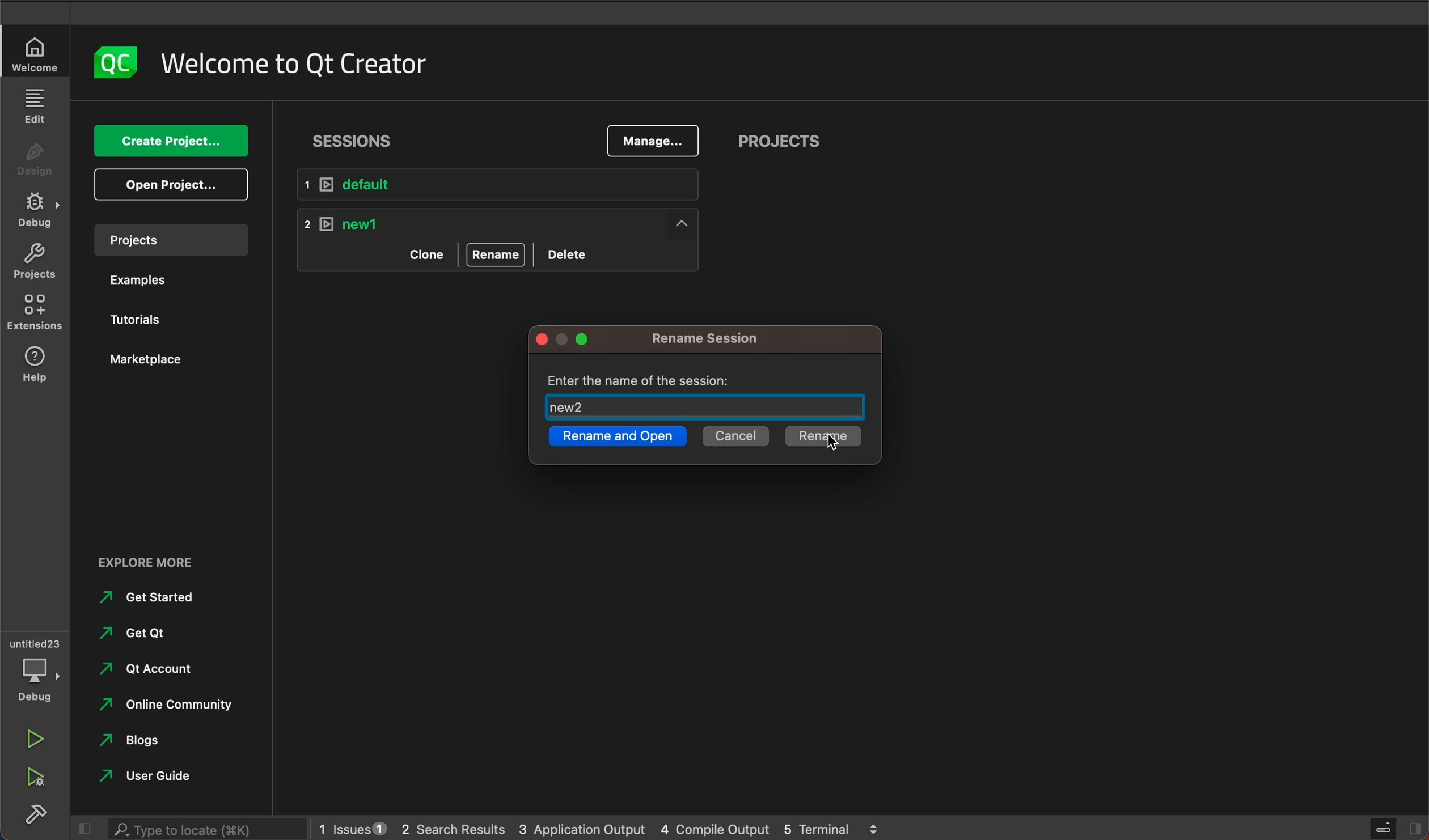 This screenshot has width=1429, height=840. Describe the element at coordinates (293, 60) in the screenshot. I see `welcome` at that location.